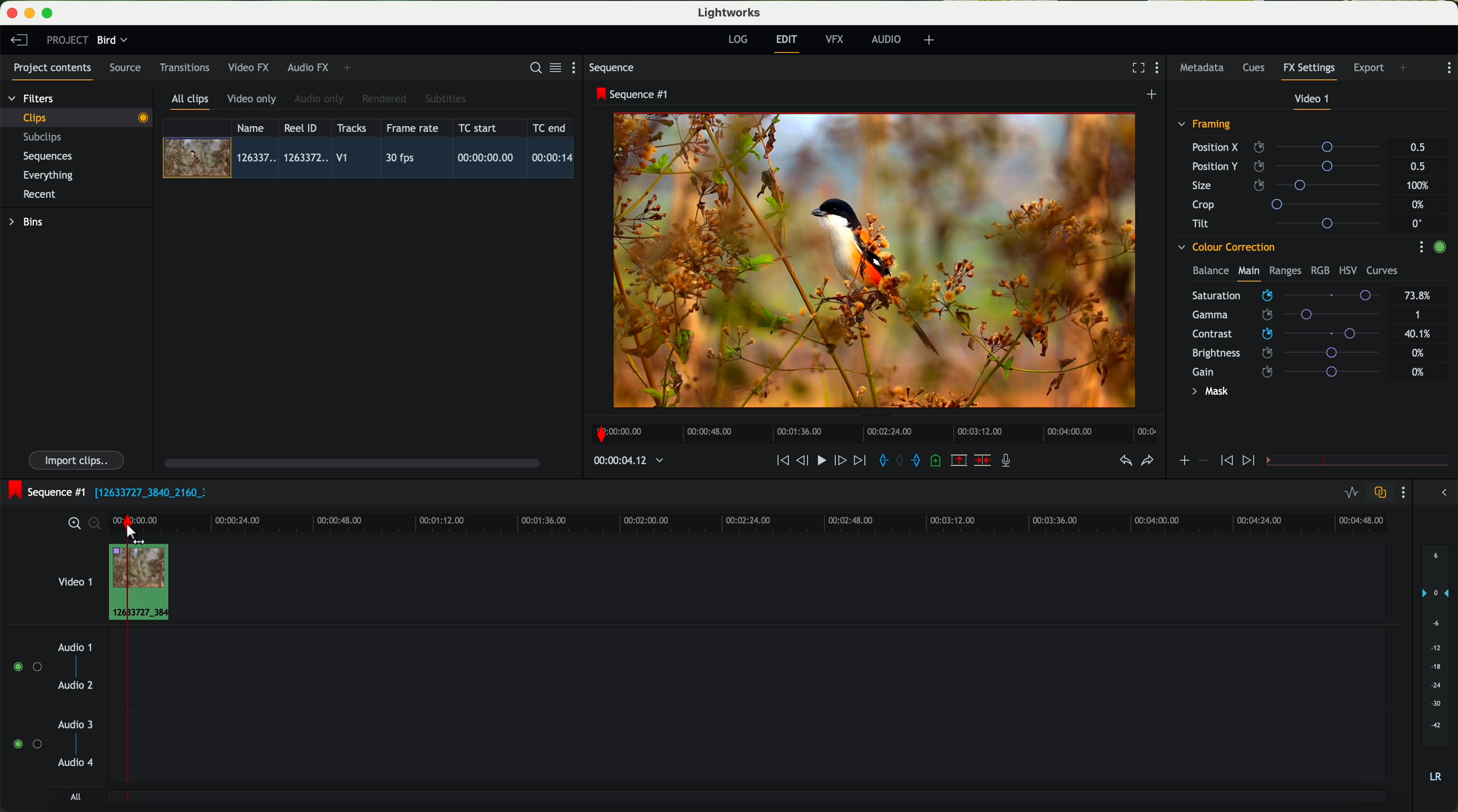  What do you see at coordinates (1347, 270) in the screenshot?
I see `HSV` at bounding box center [1347, 270].